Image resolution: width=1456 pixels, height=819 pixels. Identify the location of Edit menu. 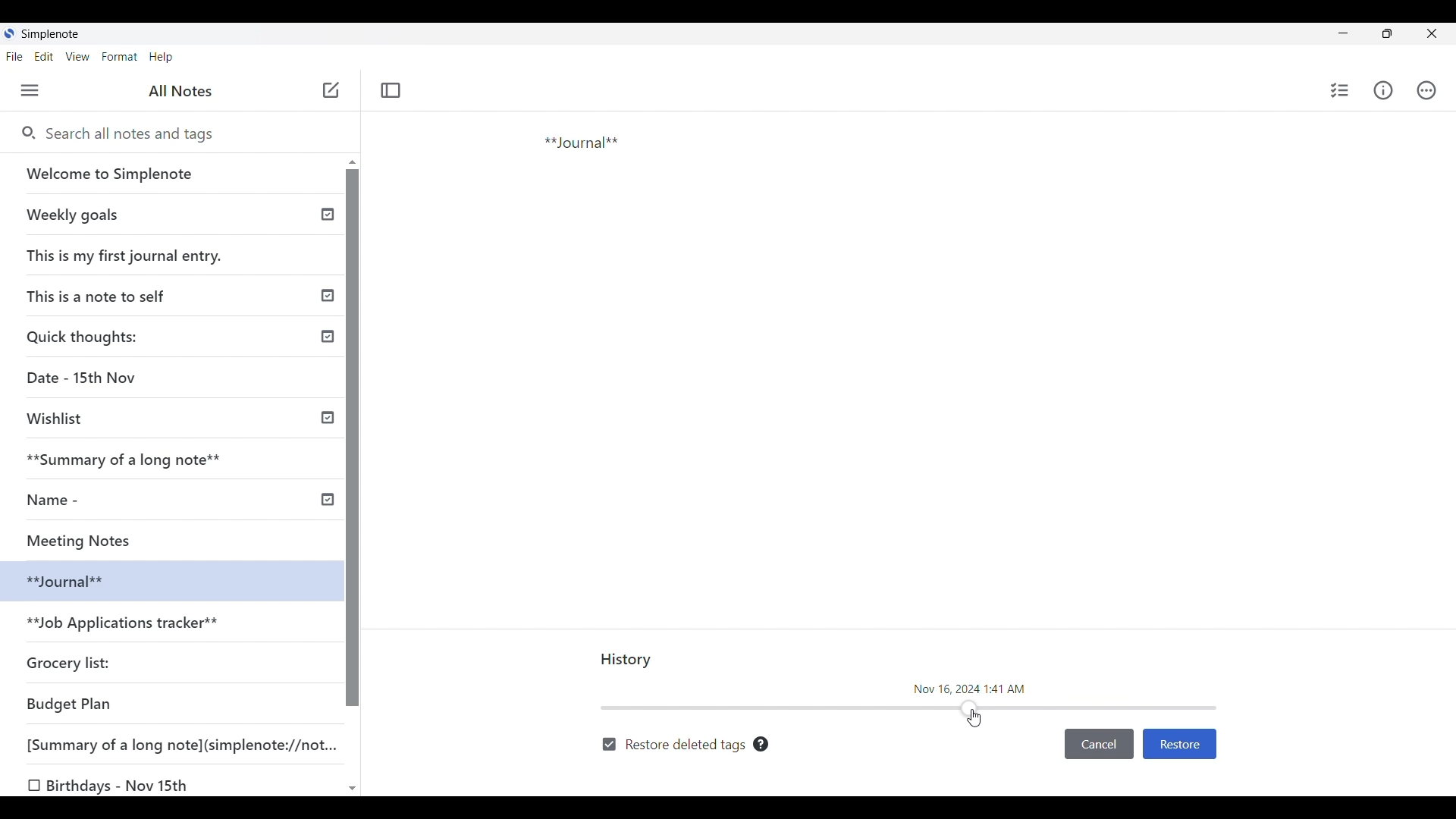
(44, 57).